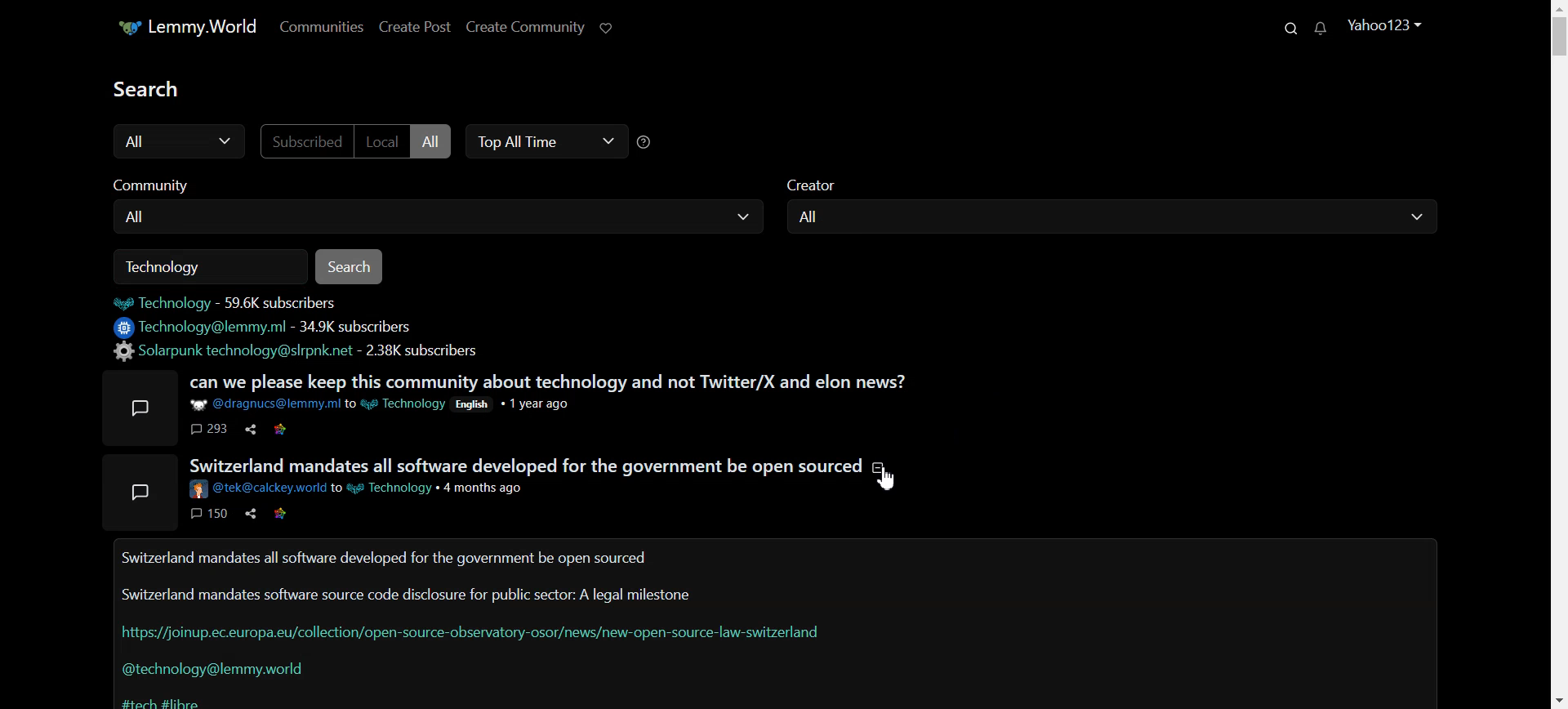 This screenshot has width=1568, height=709. Describe the element at coordinates (535, 466) in the screenshot. I see `Switzerland mandates all software developed for the government be open sourced ` at that location.